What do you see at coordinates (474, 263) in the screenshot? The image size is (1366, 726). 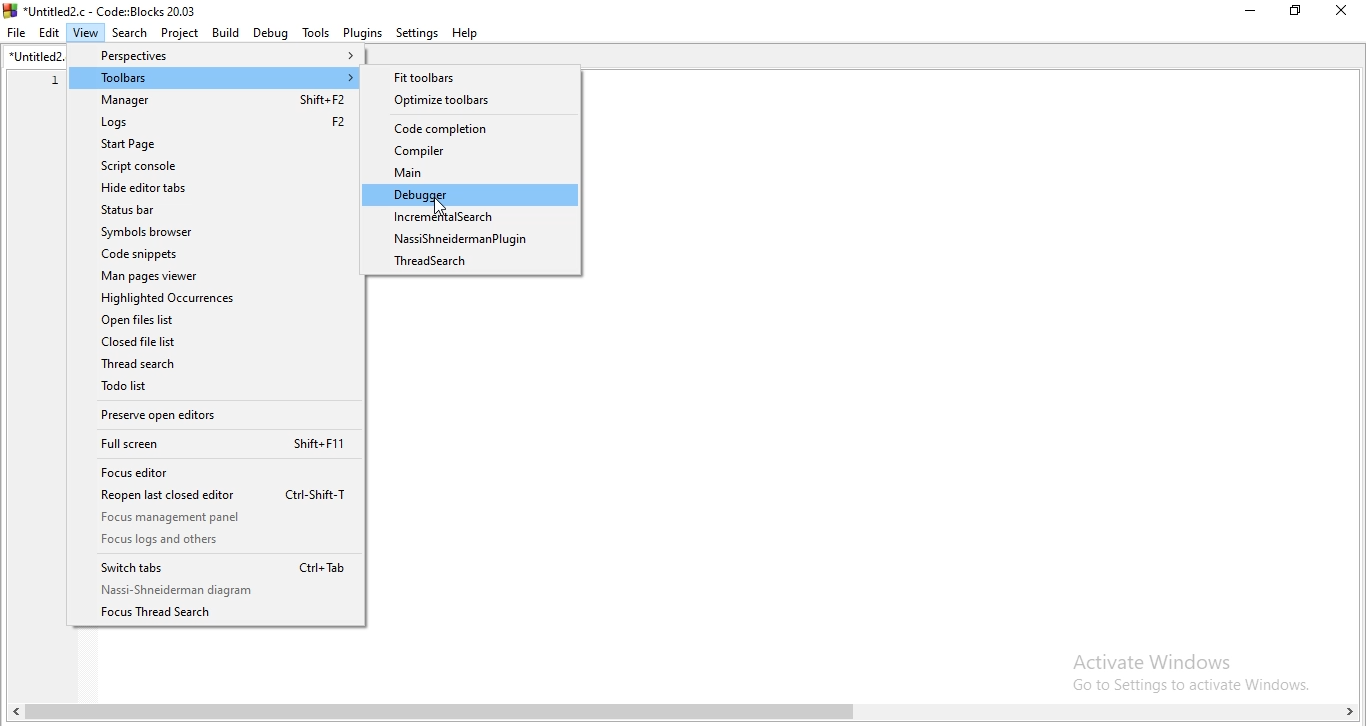 I see `Thread search` at bounding box center [474, 263].